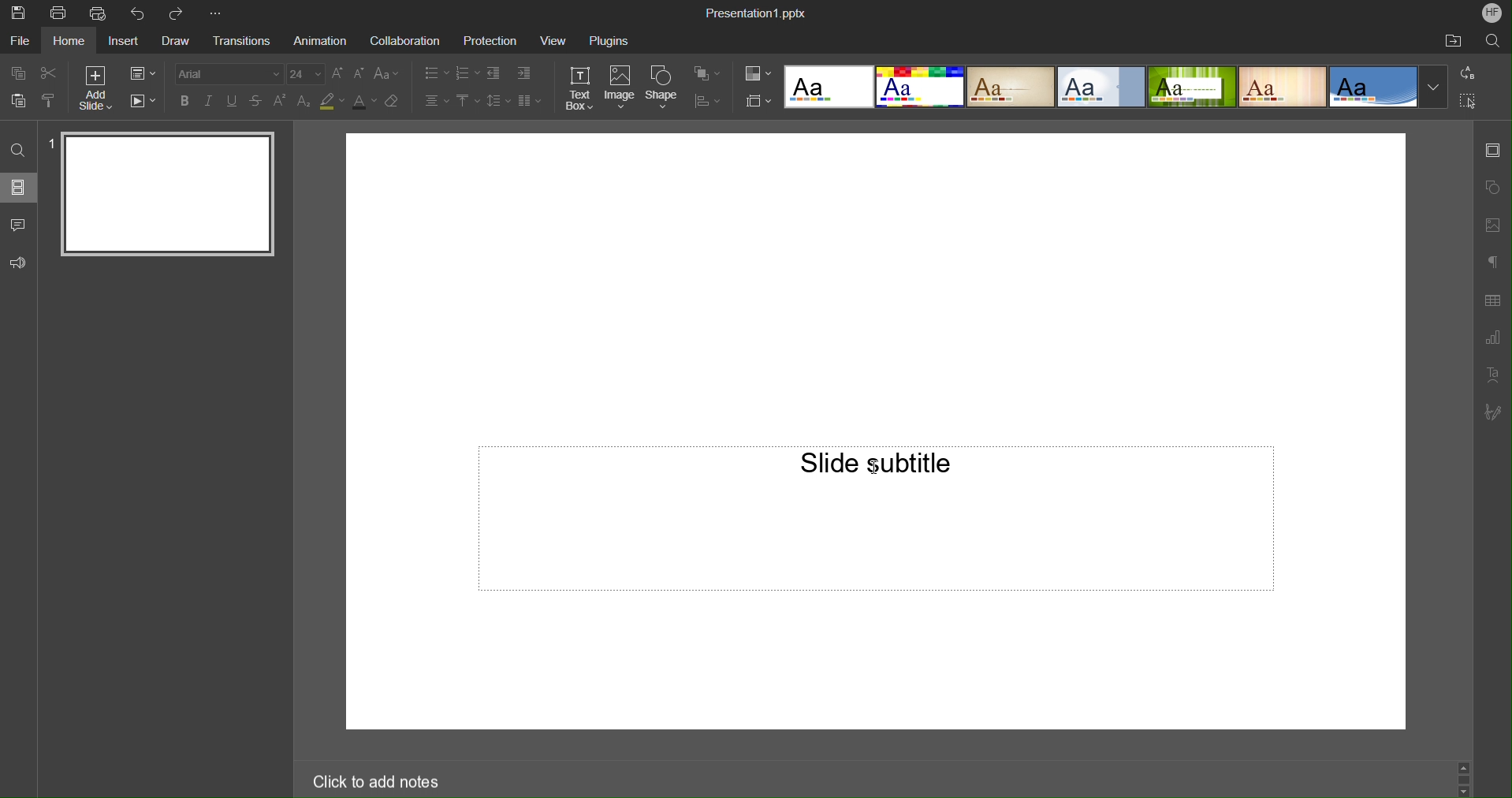  Describe the element at coordinates (709, 101) in the screenshot. I see `Distribute` at that location.